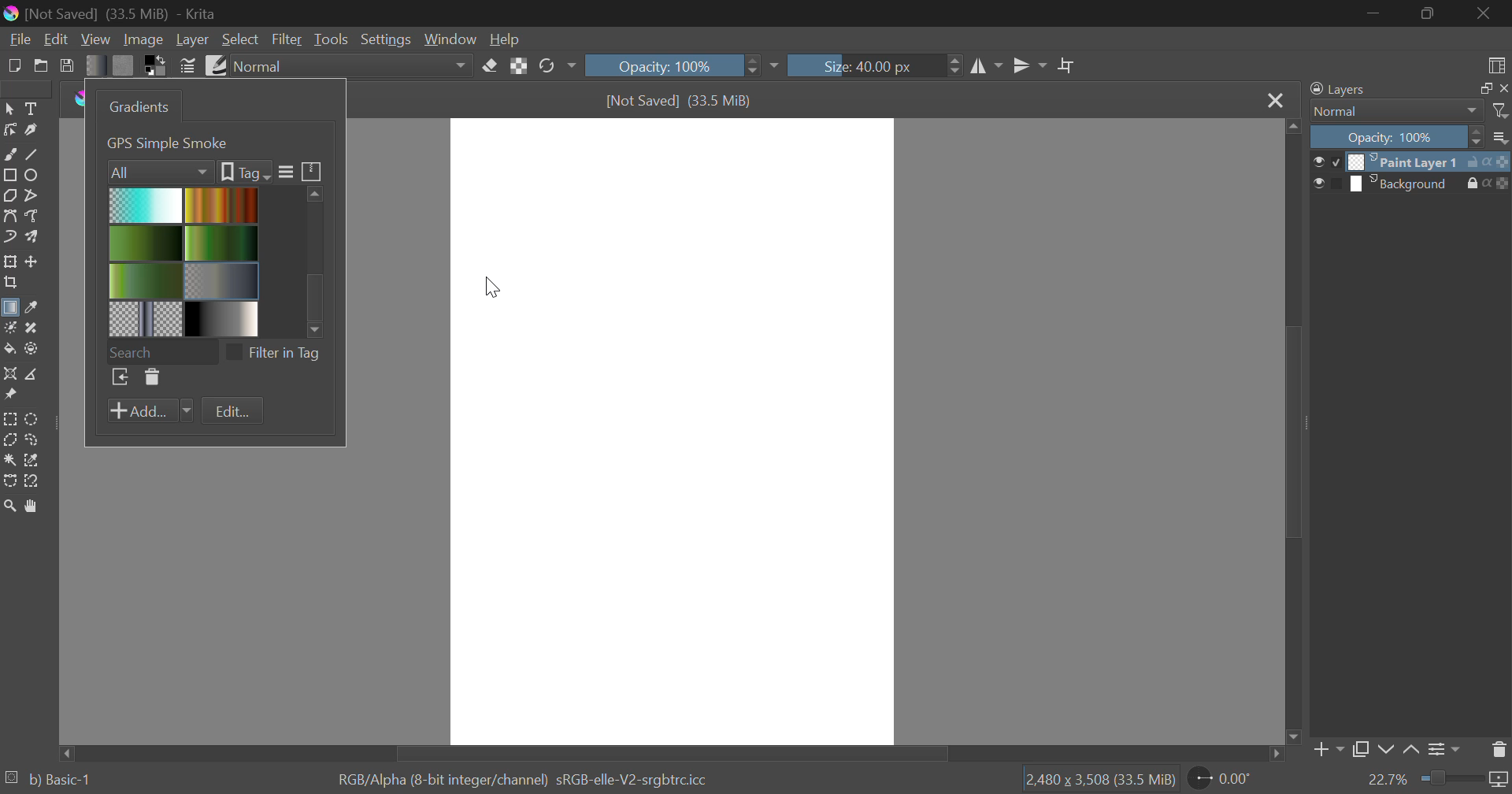 The width and height of the screenshot is (1512, 794). What do you see at coordinates (1481, 89) in the screenshot?
I see `full screen` at bounding box center [1481, 89].